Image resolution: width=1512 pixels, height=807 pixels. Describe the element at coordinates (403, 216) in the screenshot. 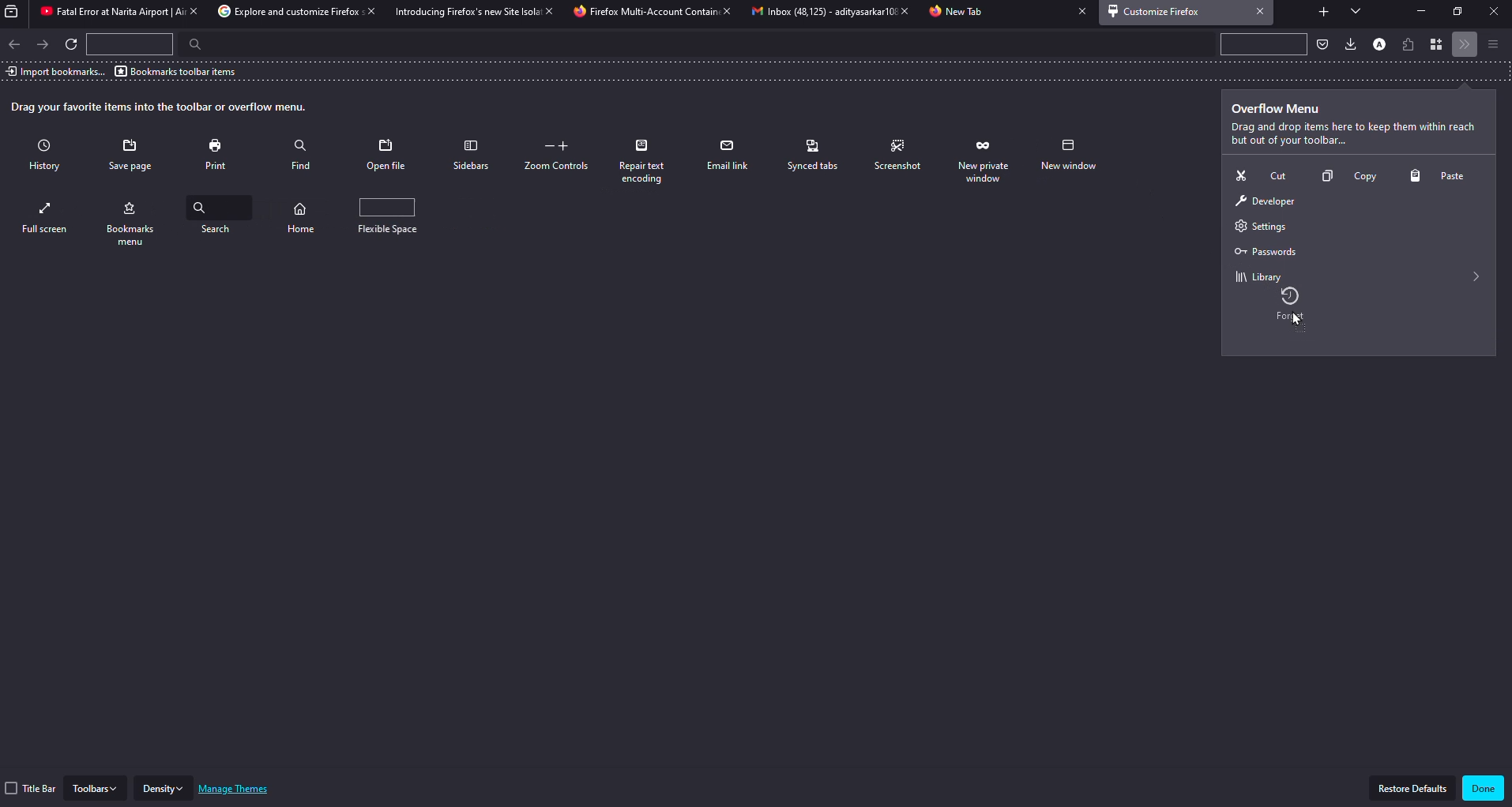

I see `flexible` at that location.